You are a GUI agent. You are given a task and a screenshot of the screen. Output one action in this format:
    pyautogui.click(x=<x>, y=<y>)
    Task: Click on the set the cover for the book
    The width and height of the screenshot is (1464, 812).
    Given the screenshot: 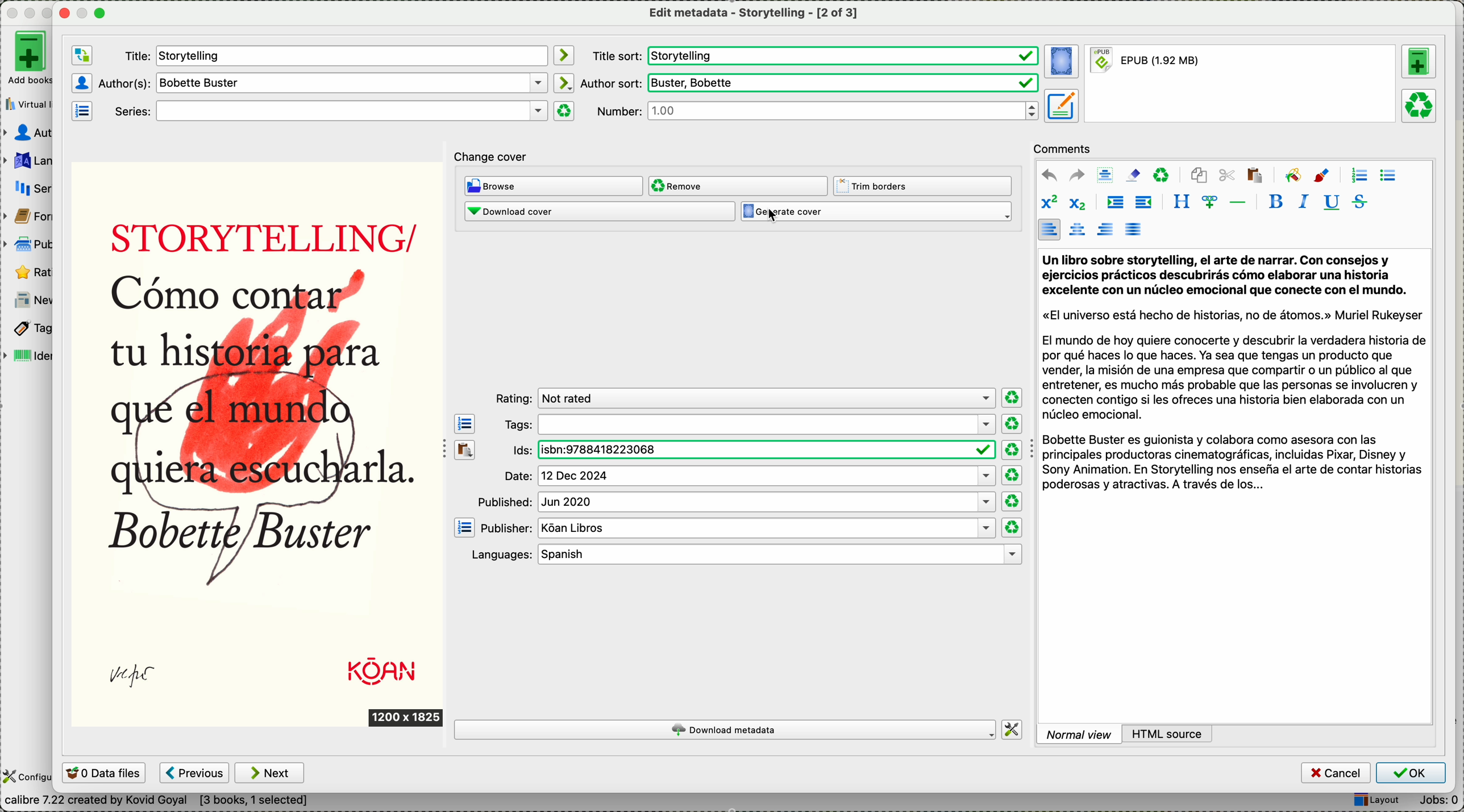 What is the action you would take?
    pyautogui.click(x=1061, y=61)
    